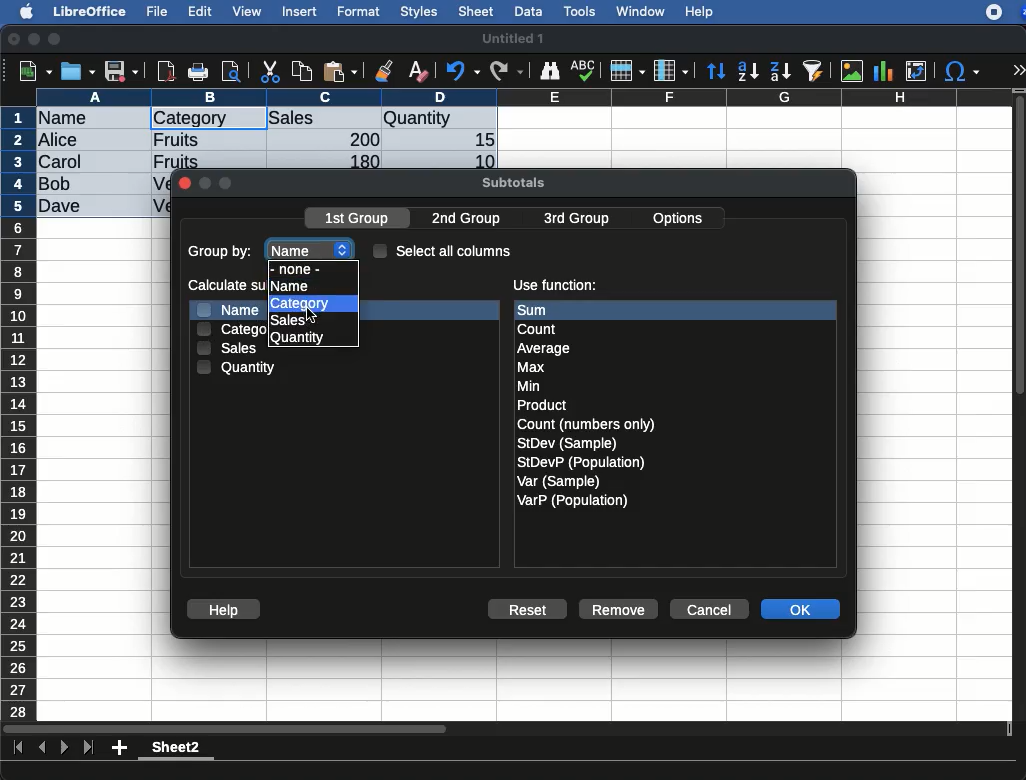 This screenshot has width=1026, height=780. Describe the element at coordinates (56, 185) in the screenshot. I see `Bob` at that location.